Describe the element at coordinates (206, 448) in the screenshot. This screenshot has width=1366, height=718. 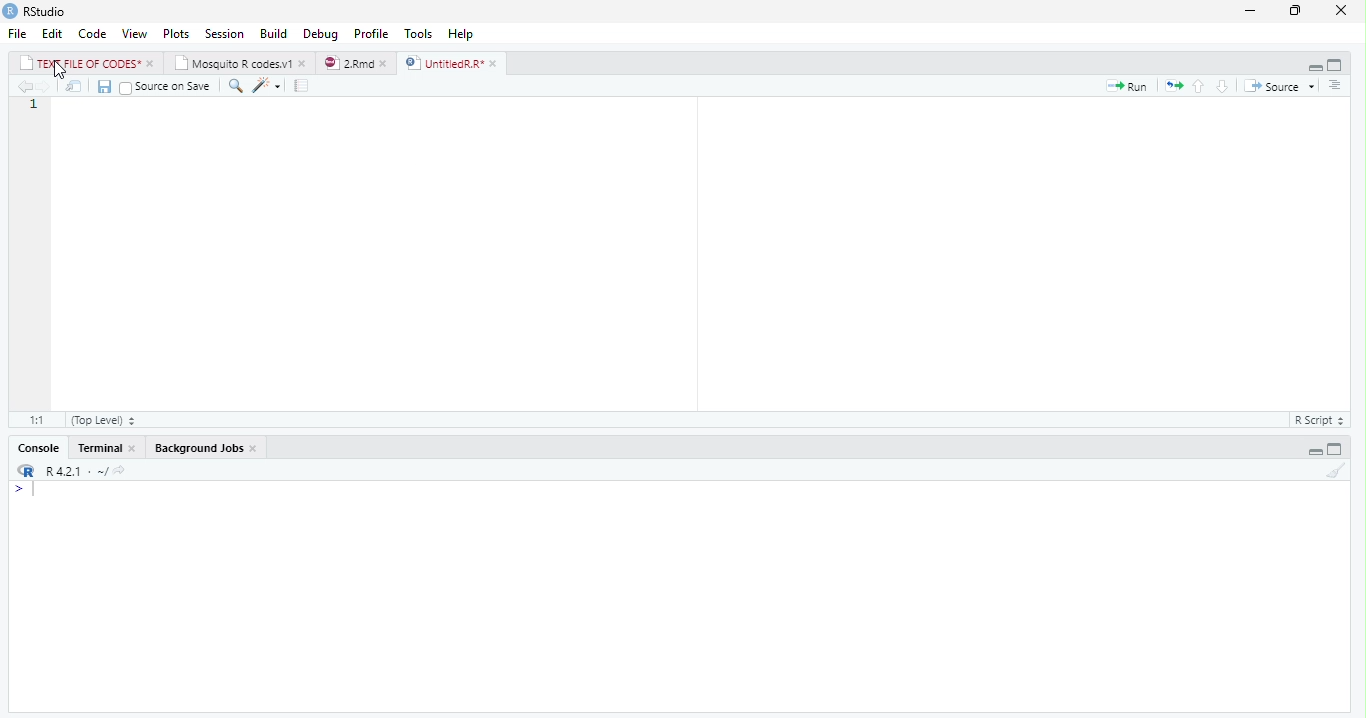
I see `Background Jobs` at that location.